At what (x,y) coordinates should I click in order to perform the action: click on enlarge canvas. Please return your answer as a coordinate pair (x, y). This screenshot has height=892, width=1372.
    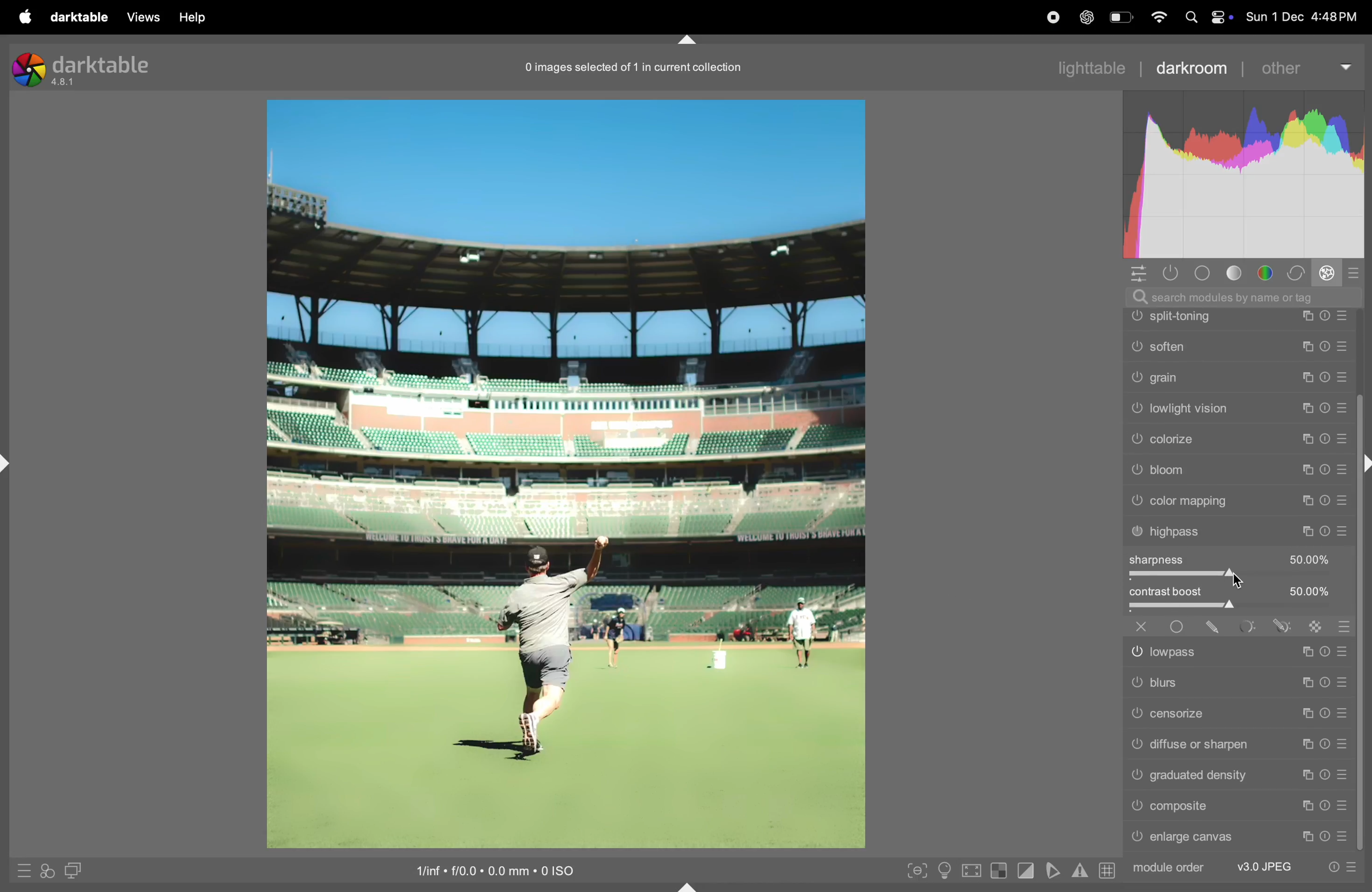
    Looking at the image, I should click on (1239, 838).